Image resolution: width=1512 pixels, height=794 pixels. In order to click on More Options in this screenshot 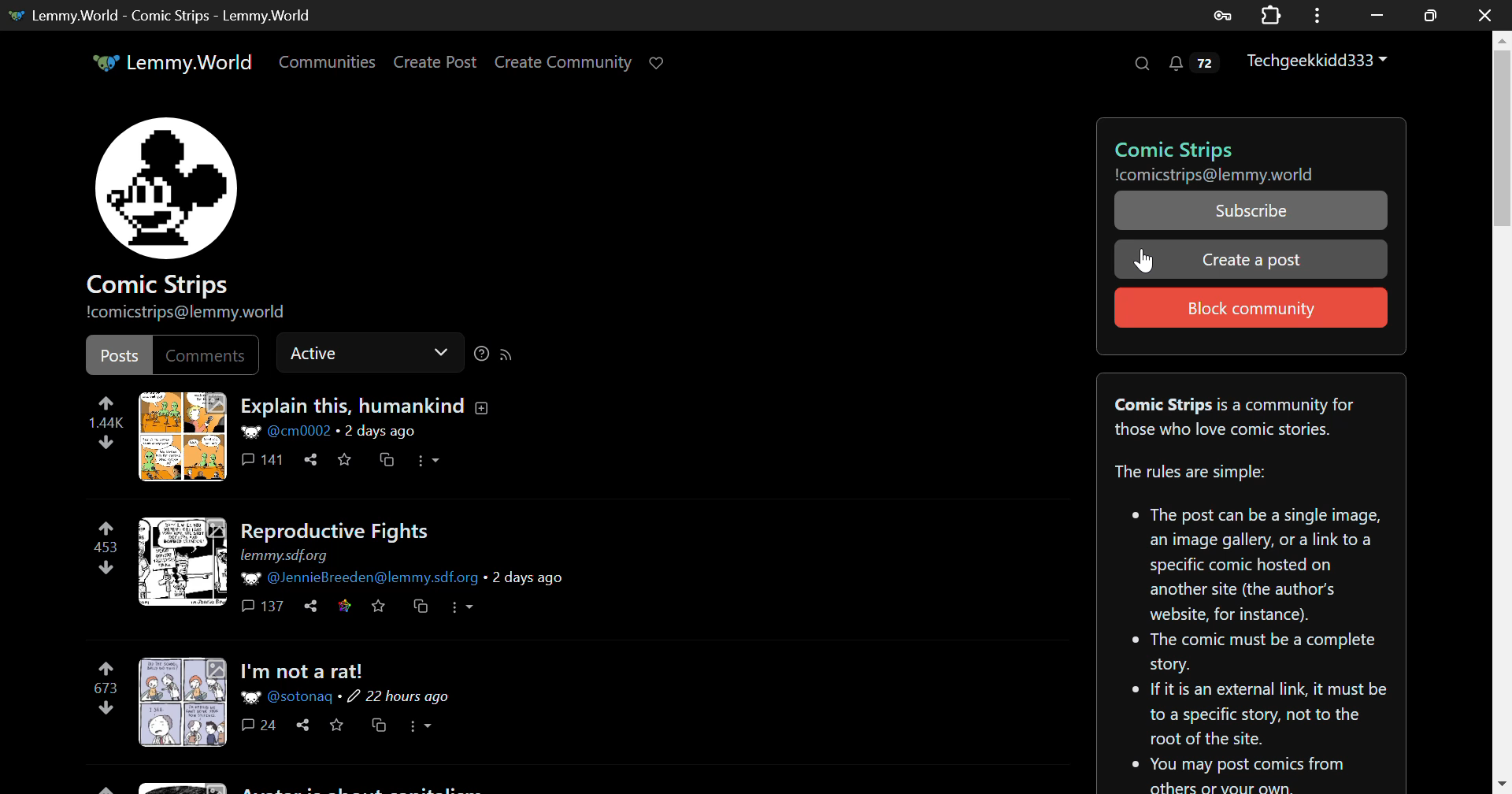, I will do `click(463, 607)`.